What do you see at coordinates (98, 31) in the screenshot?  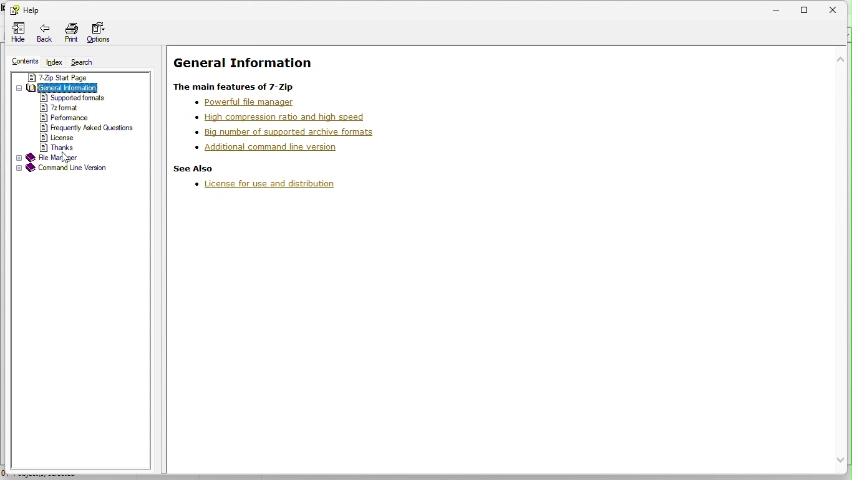 I see `Options` at bounding box center [98, 31].